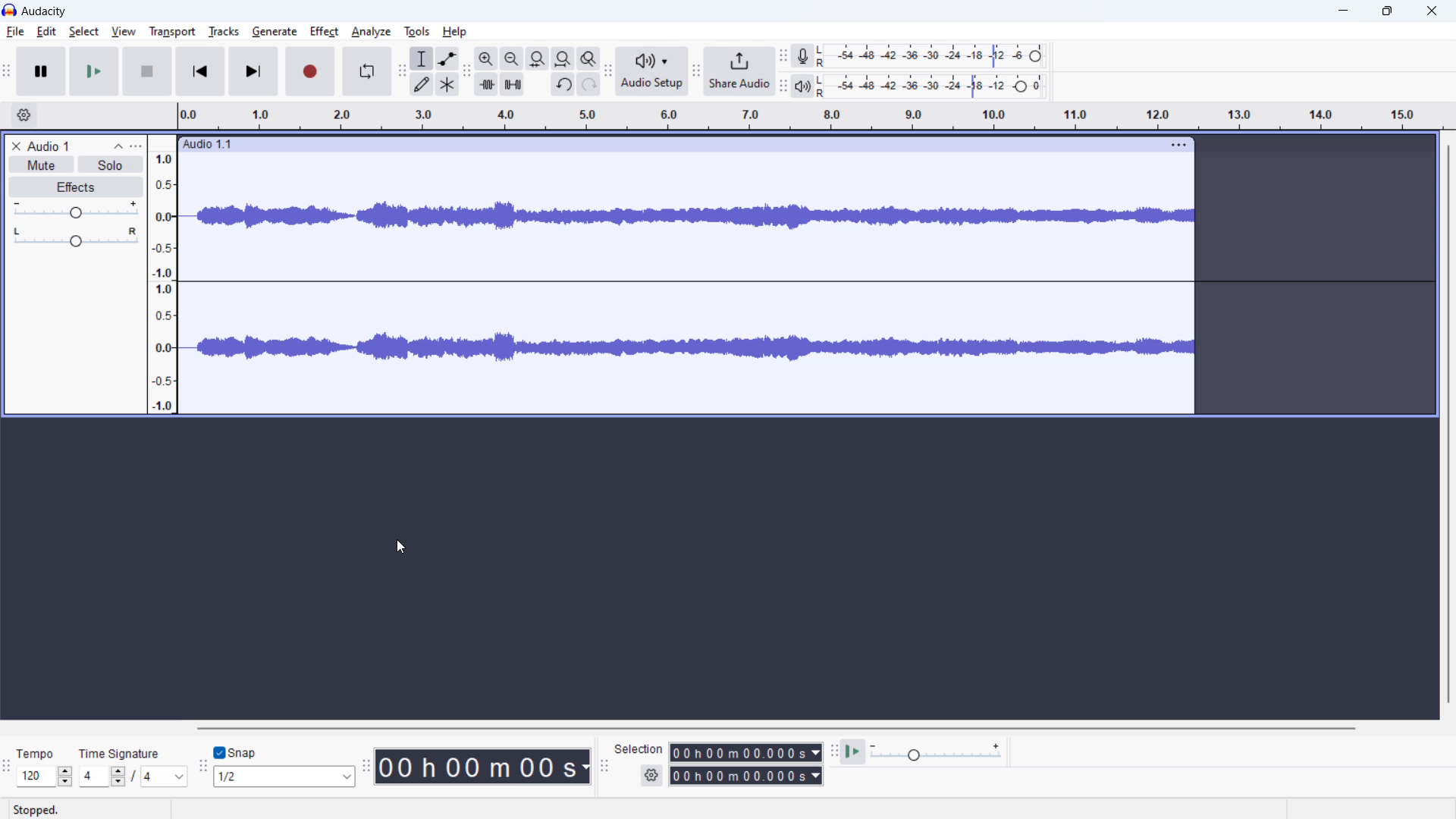  What do you see at coordinates (121, 755) in the screenshot?
I see `Time signature` at bounding box center [121, 755].